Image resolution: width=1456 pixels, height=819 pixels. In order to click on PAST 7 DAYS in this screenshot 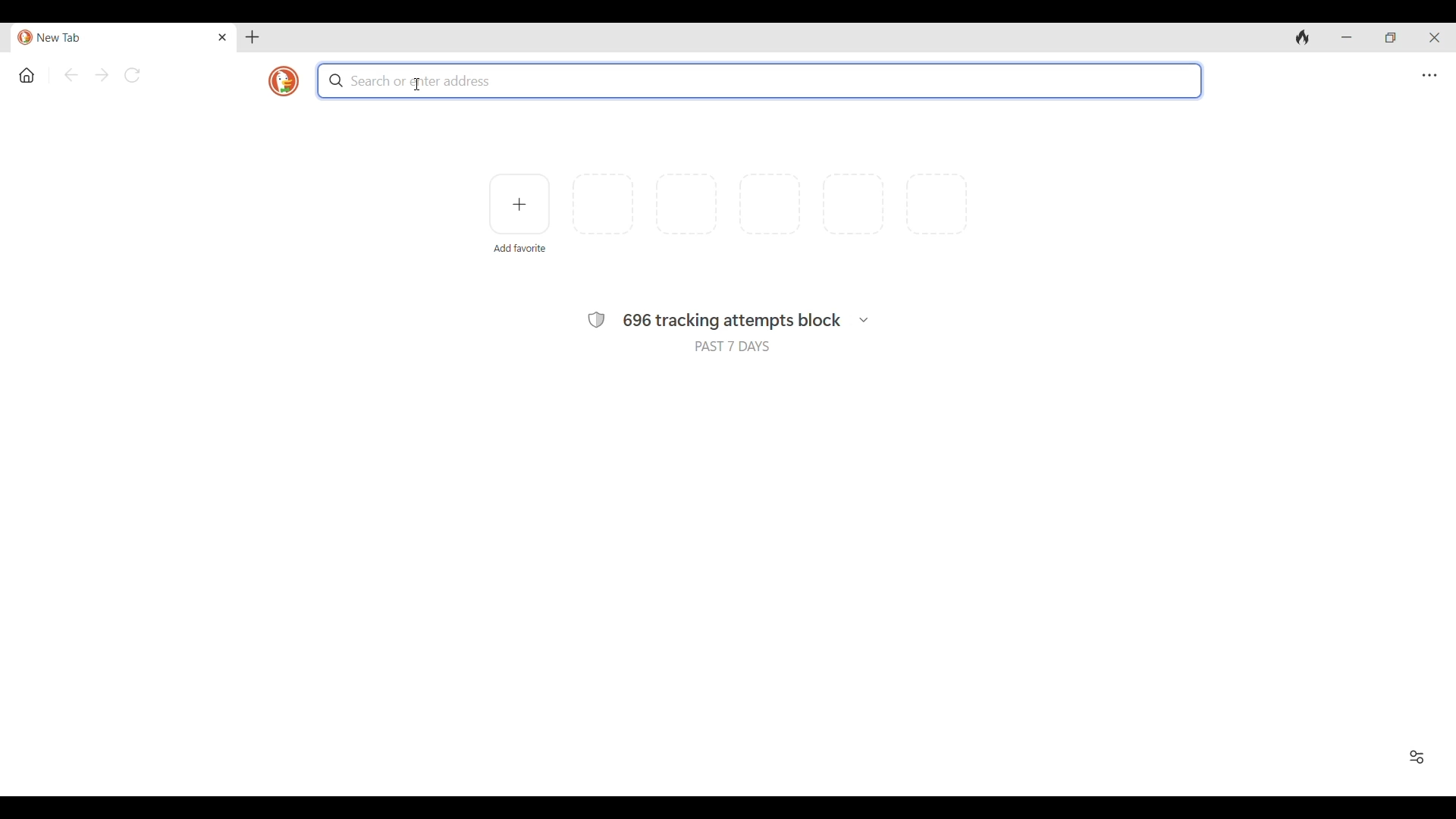, I will do `click(732, 347)`.